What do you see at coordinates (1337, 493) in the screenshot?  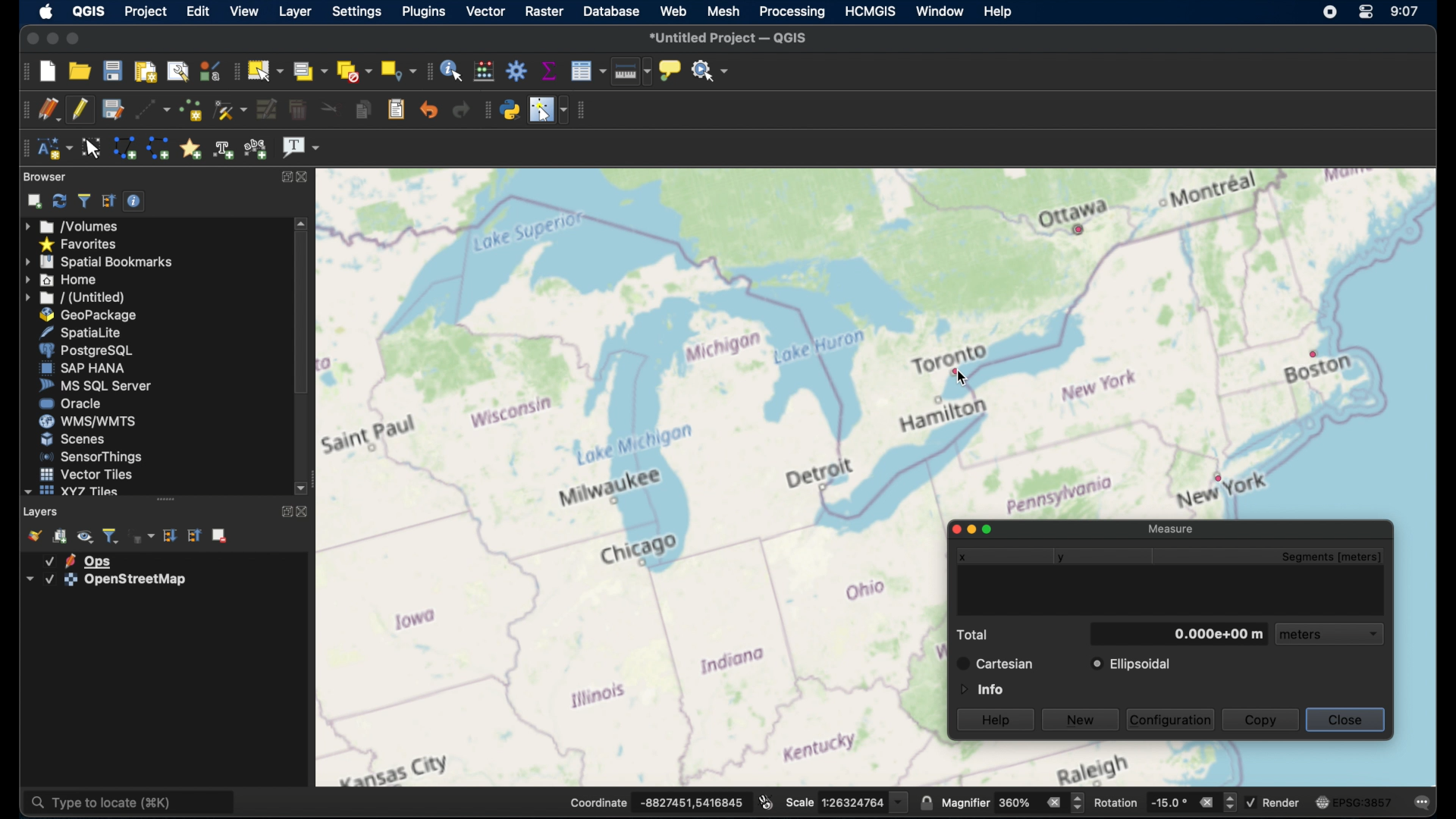 I see `open street map` at bounding box center [1337, 493].